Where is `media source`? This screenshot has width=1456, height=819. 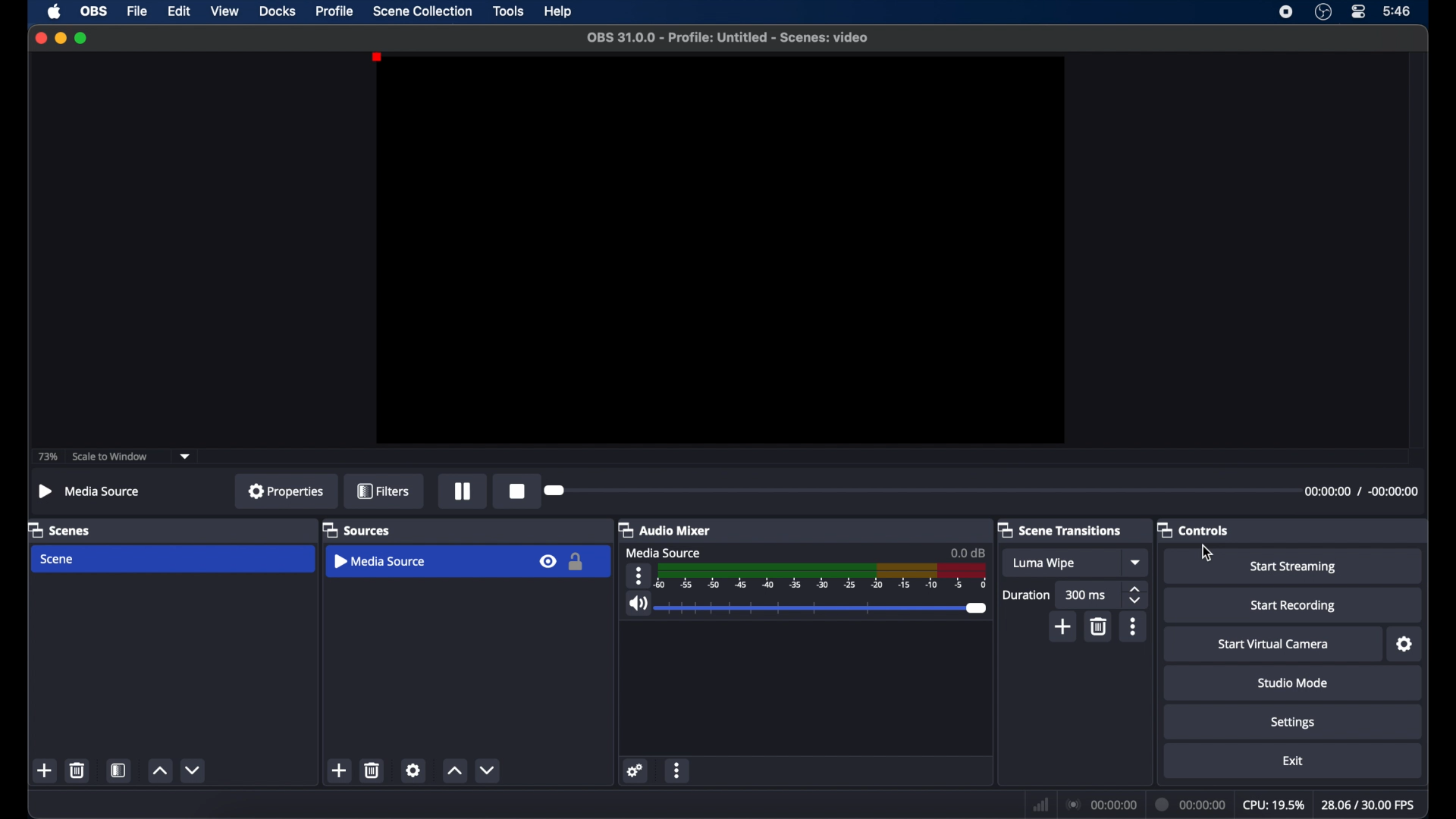 media source is located at coordinates (381, 561).